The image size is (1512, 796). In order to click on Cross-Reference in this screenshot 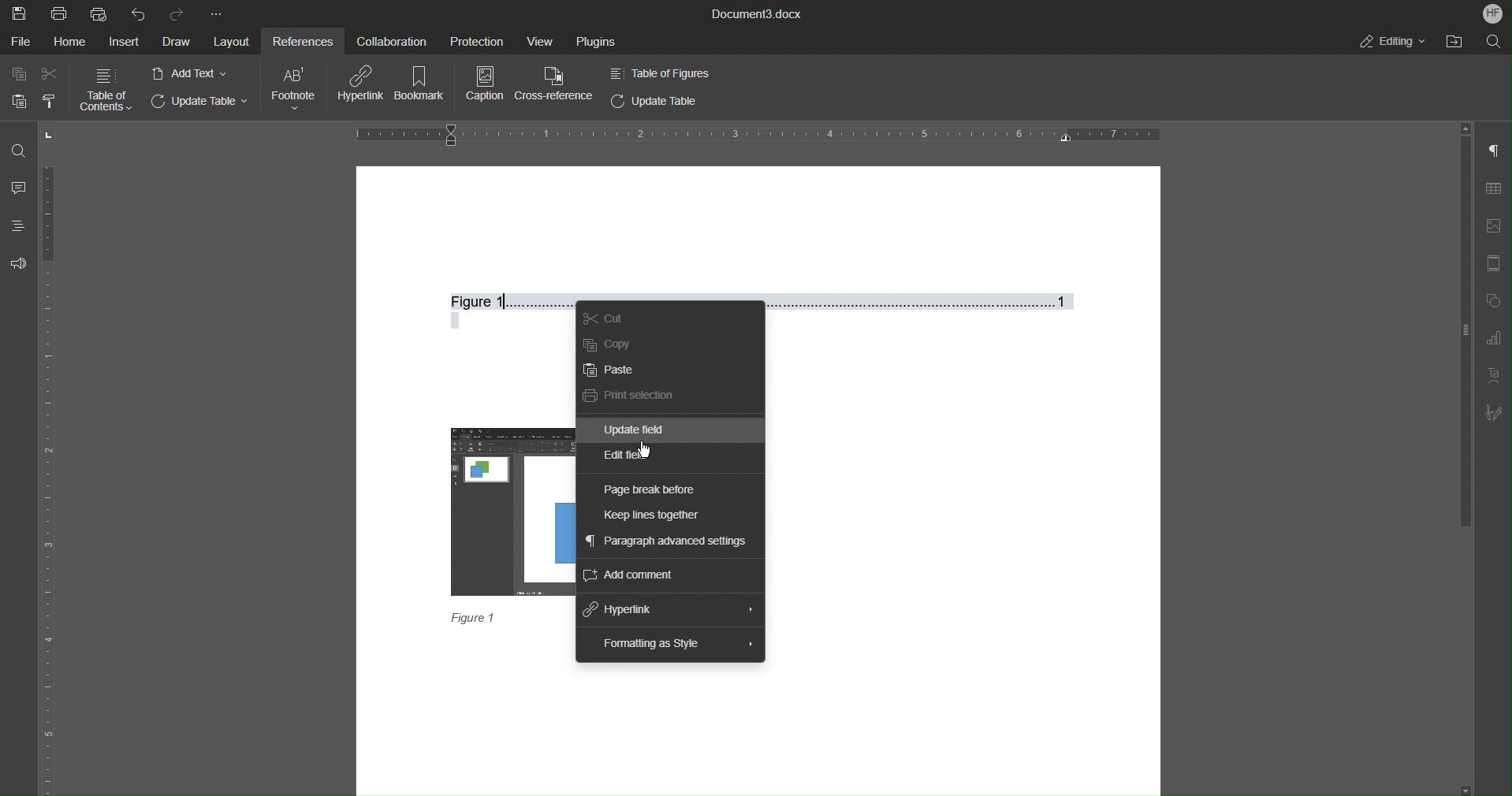, I will do `click(557, 85)`.